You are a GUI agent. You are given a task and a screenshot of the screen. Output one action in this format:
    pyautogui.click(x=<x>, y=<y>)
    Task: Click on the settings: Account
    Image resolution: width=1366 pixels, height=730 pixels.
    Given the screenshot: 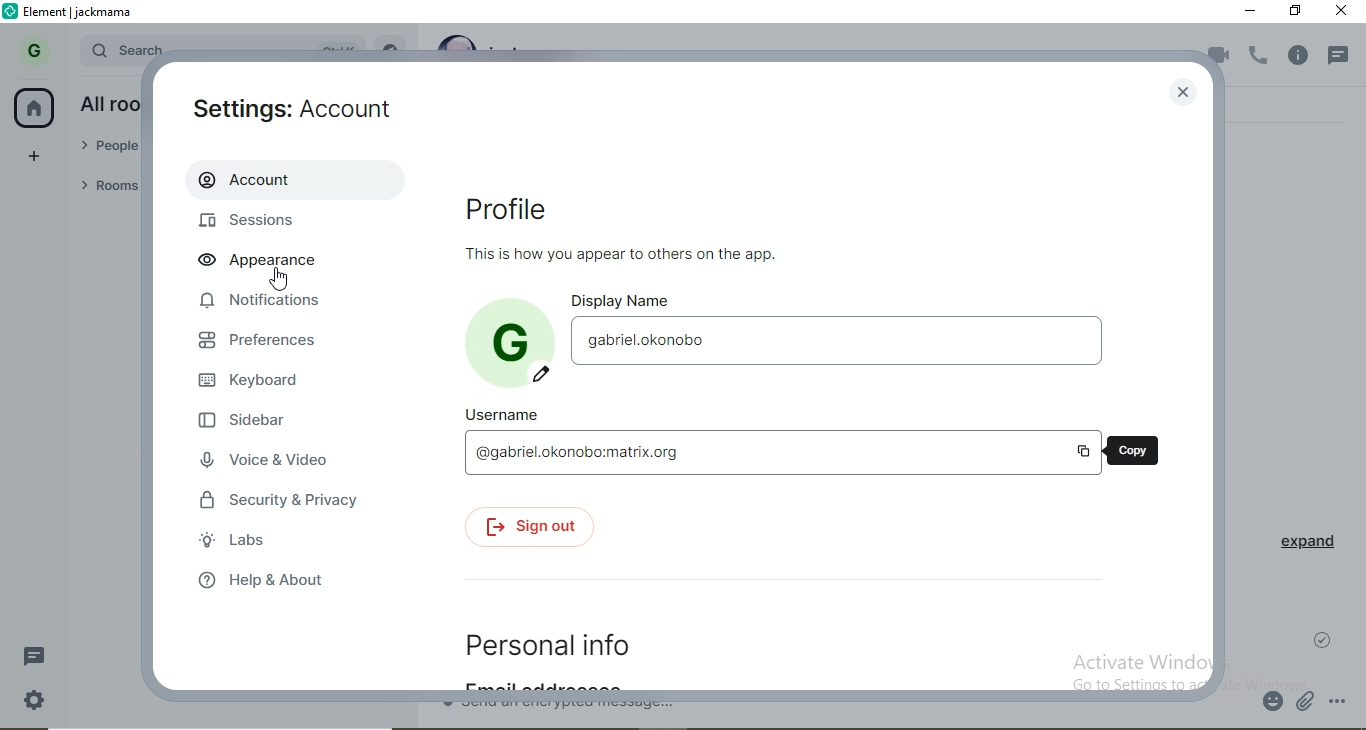 What is the action you would take?
    pyautogui.click(x=312, y=106)
    